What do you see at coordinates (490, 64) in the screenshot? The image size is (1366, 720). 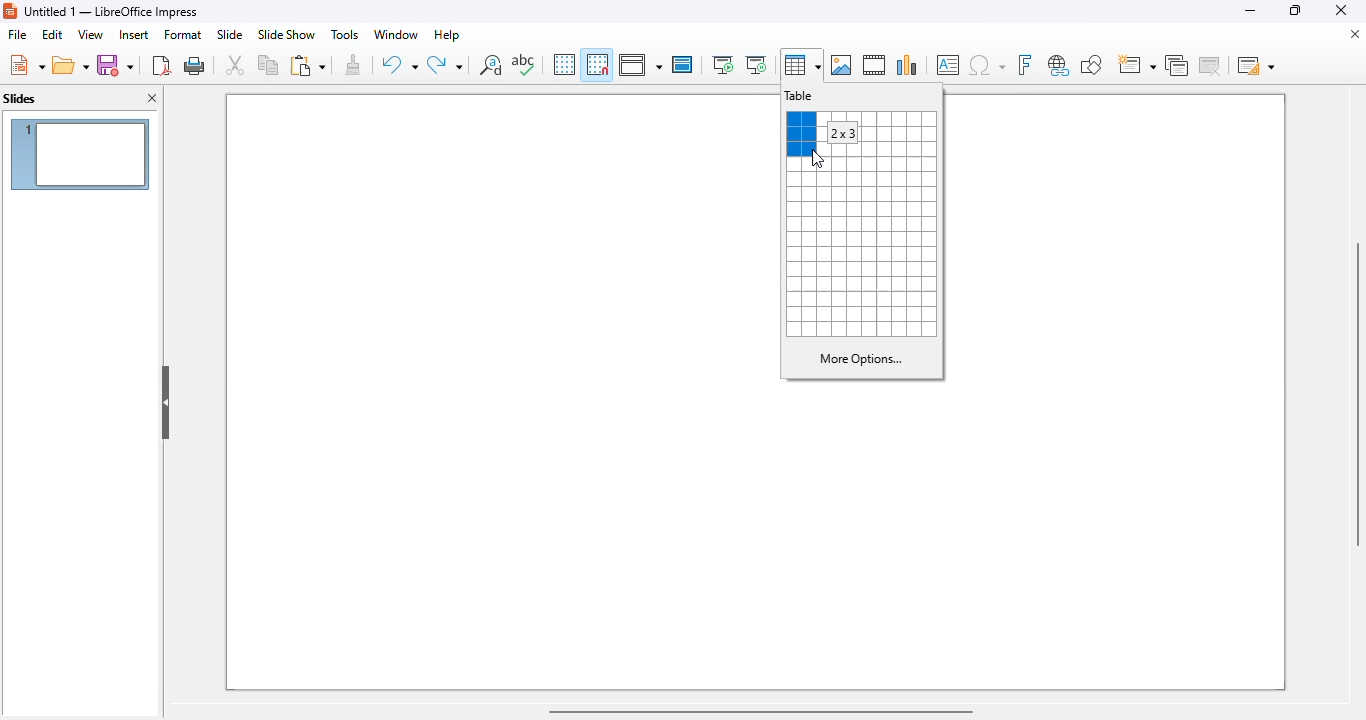 I see `find and replace` at bounding box center [490, 64].